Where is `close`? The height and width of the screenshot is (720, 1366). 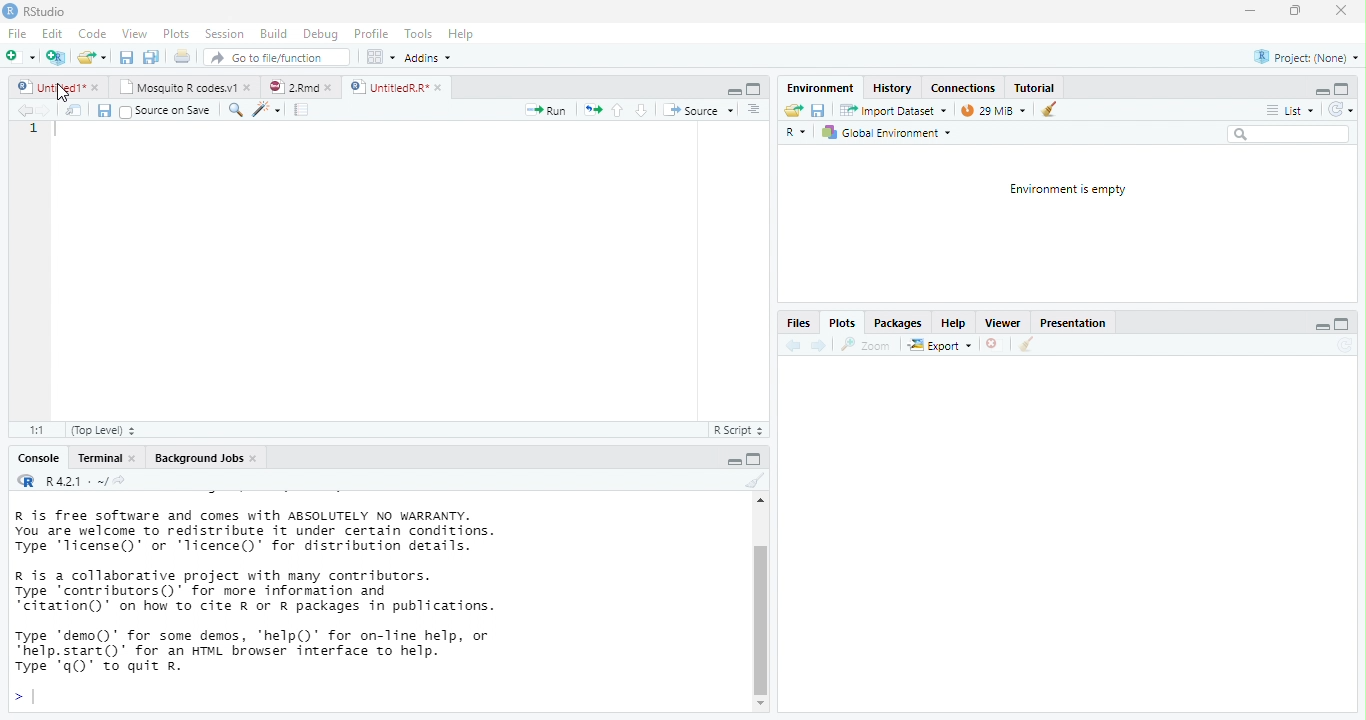
close is located at coordinates (995, 346).